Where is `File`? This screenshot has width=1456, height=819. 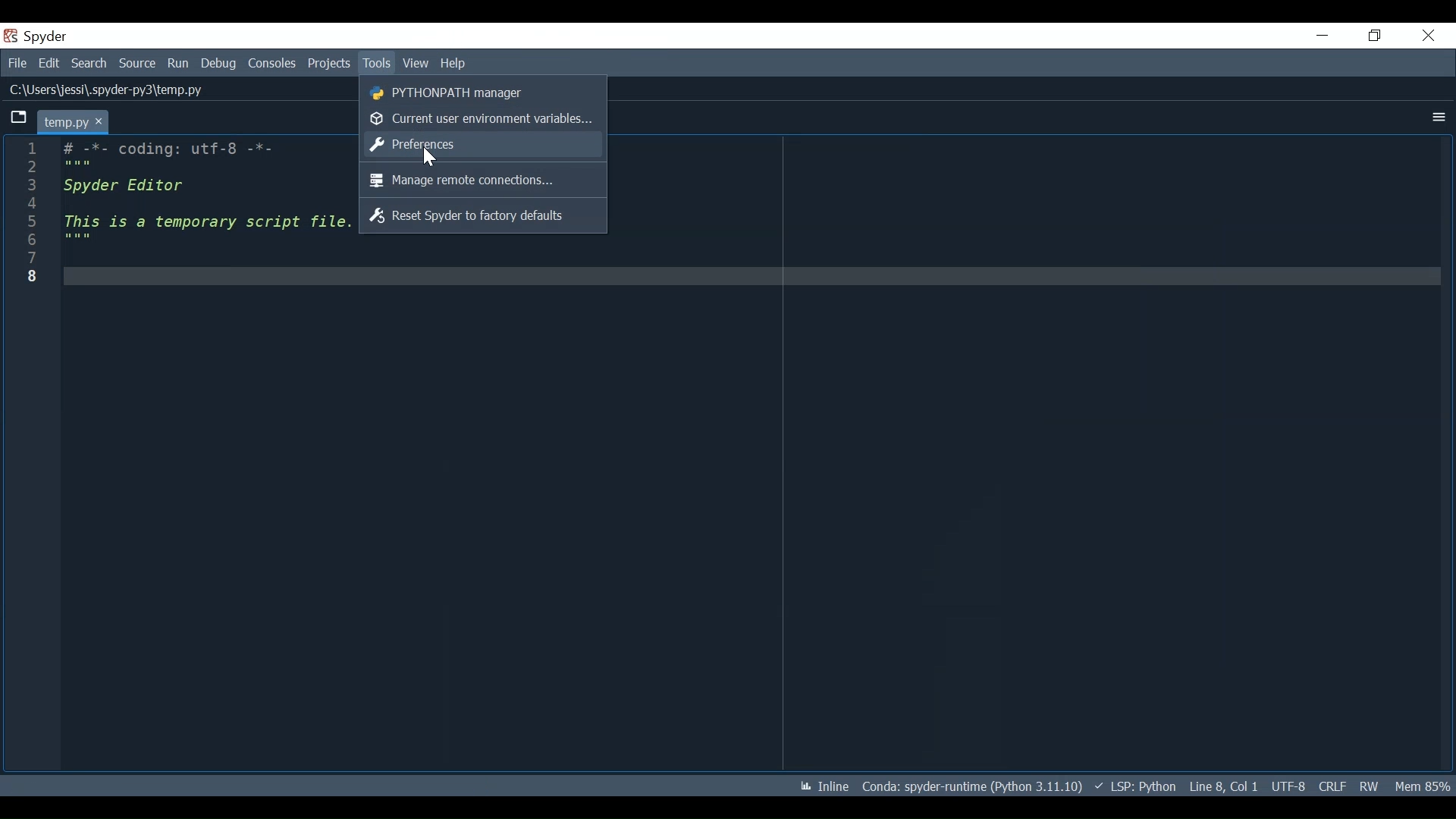
File is located at coordinates (20, 63).